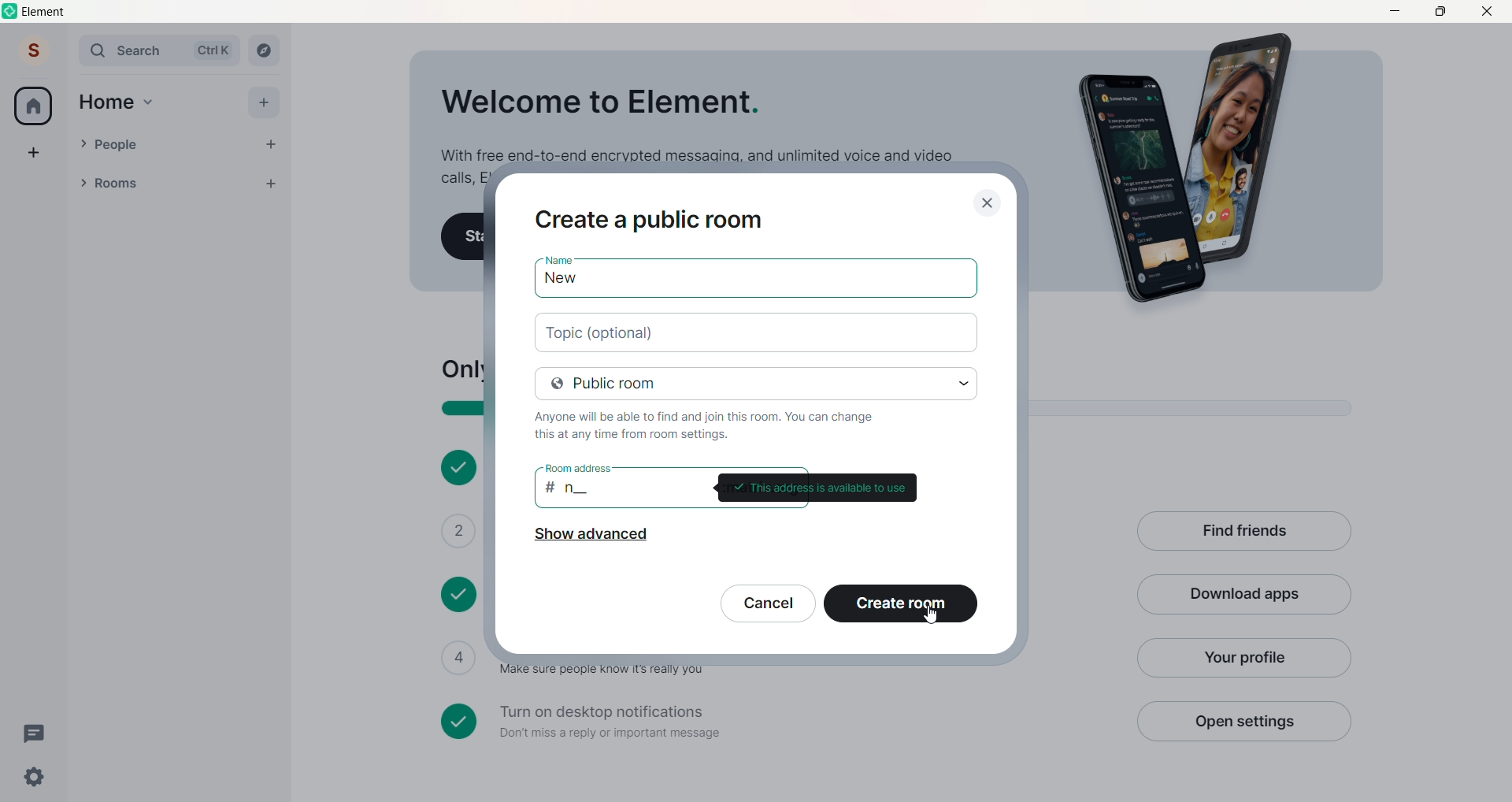 The image size is (1512, 802). What do you see at coordinates (37, 734) in the screenshot?
I see `Threads` at bounding box center [37, 734].